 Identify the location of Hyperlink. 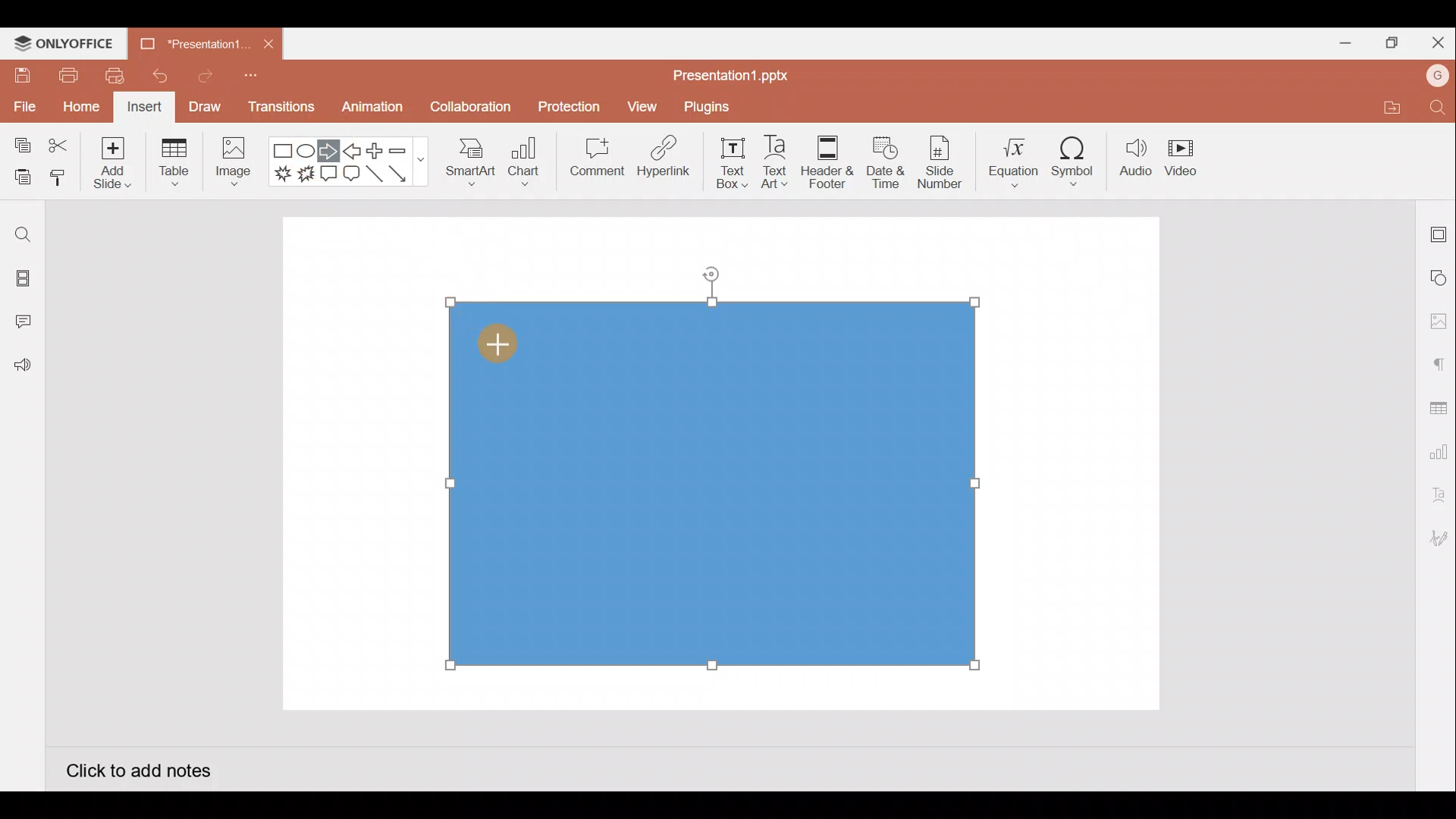
(660, 158).